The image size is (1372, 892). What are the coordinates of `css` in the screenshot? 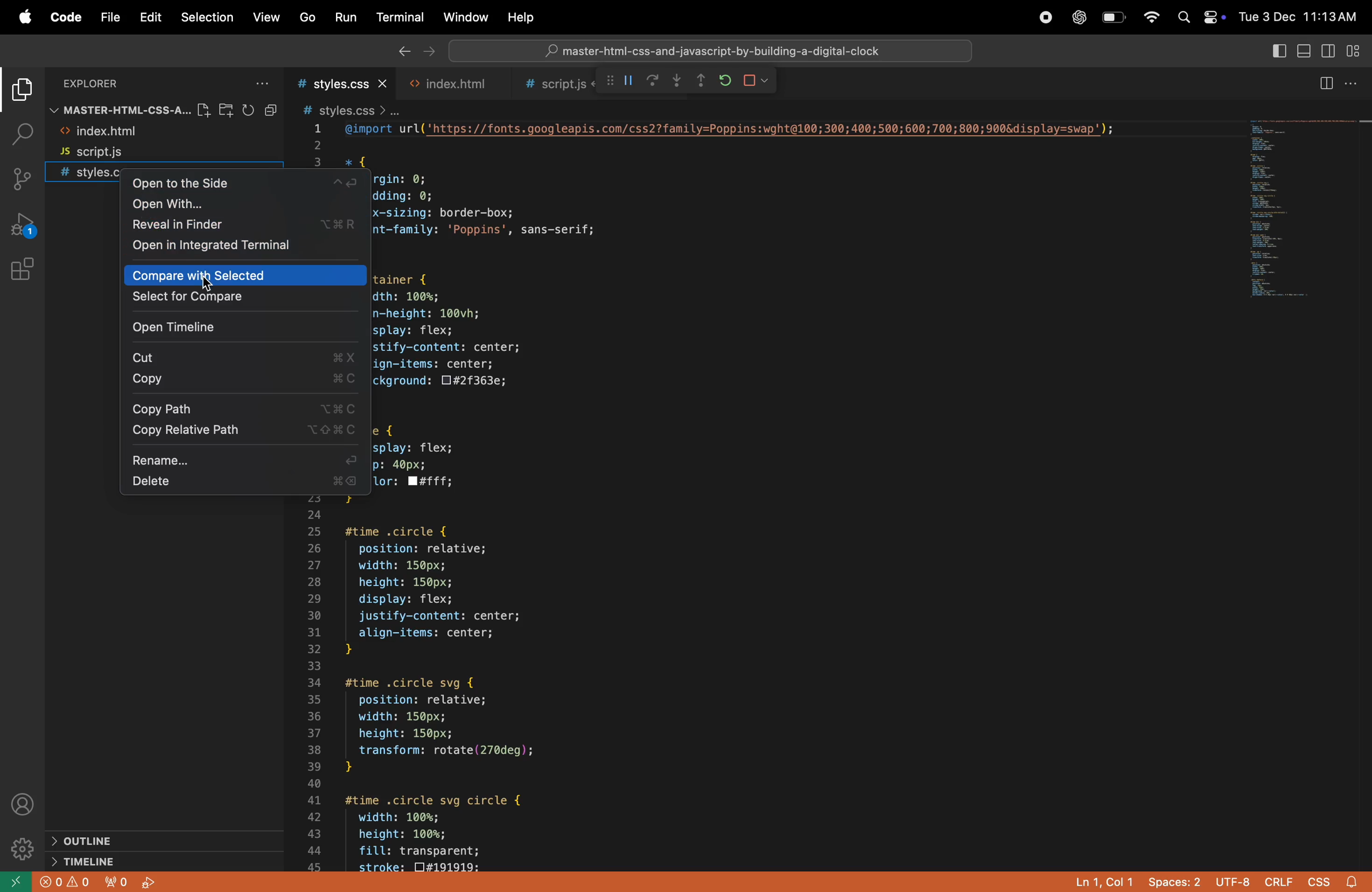 It's located at (1320, 880).